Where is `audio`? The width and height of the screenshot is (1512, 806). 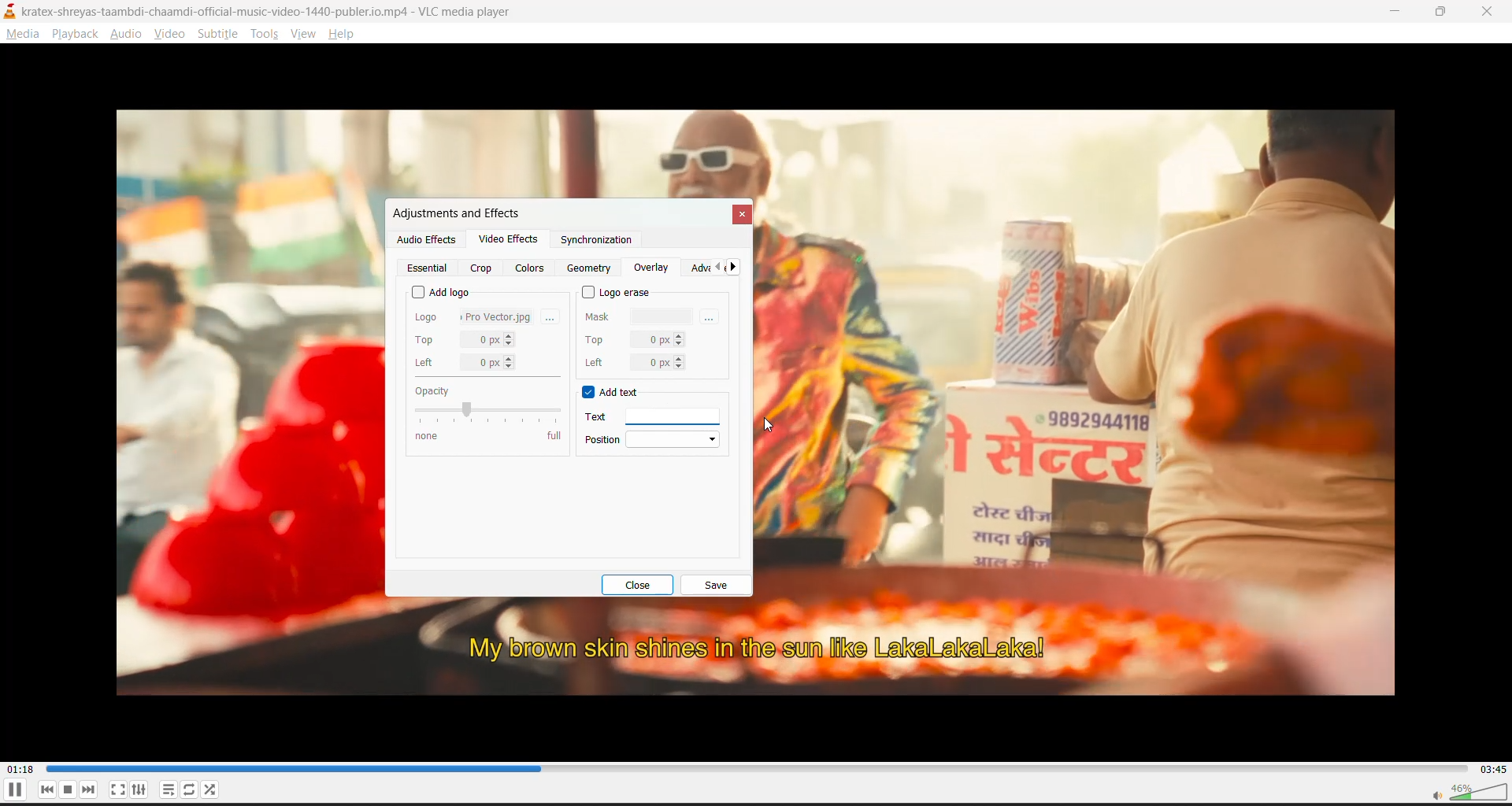
audio is located at coordinates (130, 35).